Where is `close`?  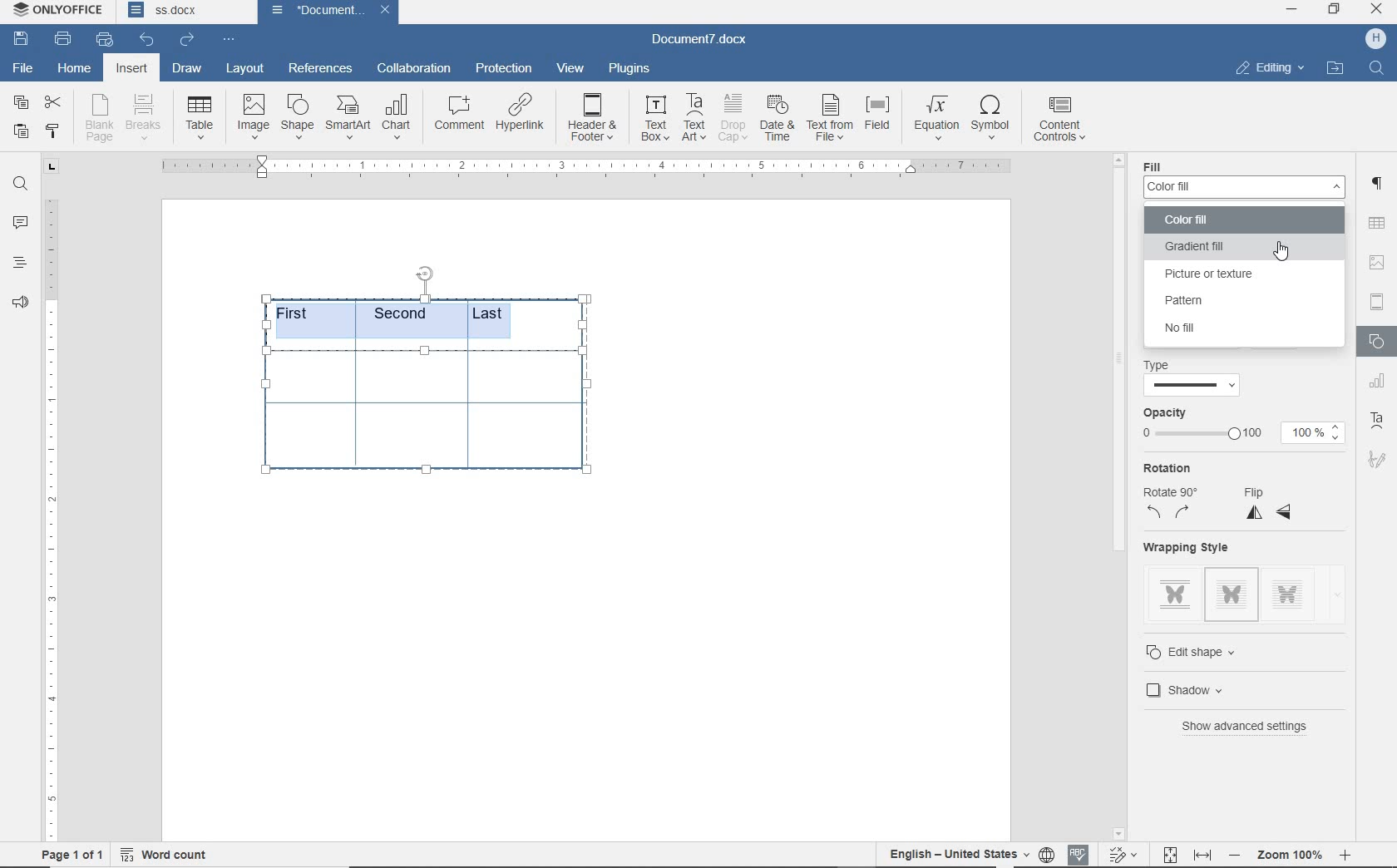
close is located at coordinates (385, 11).